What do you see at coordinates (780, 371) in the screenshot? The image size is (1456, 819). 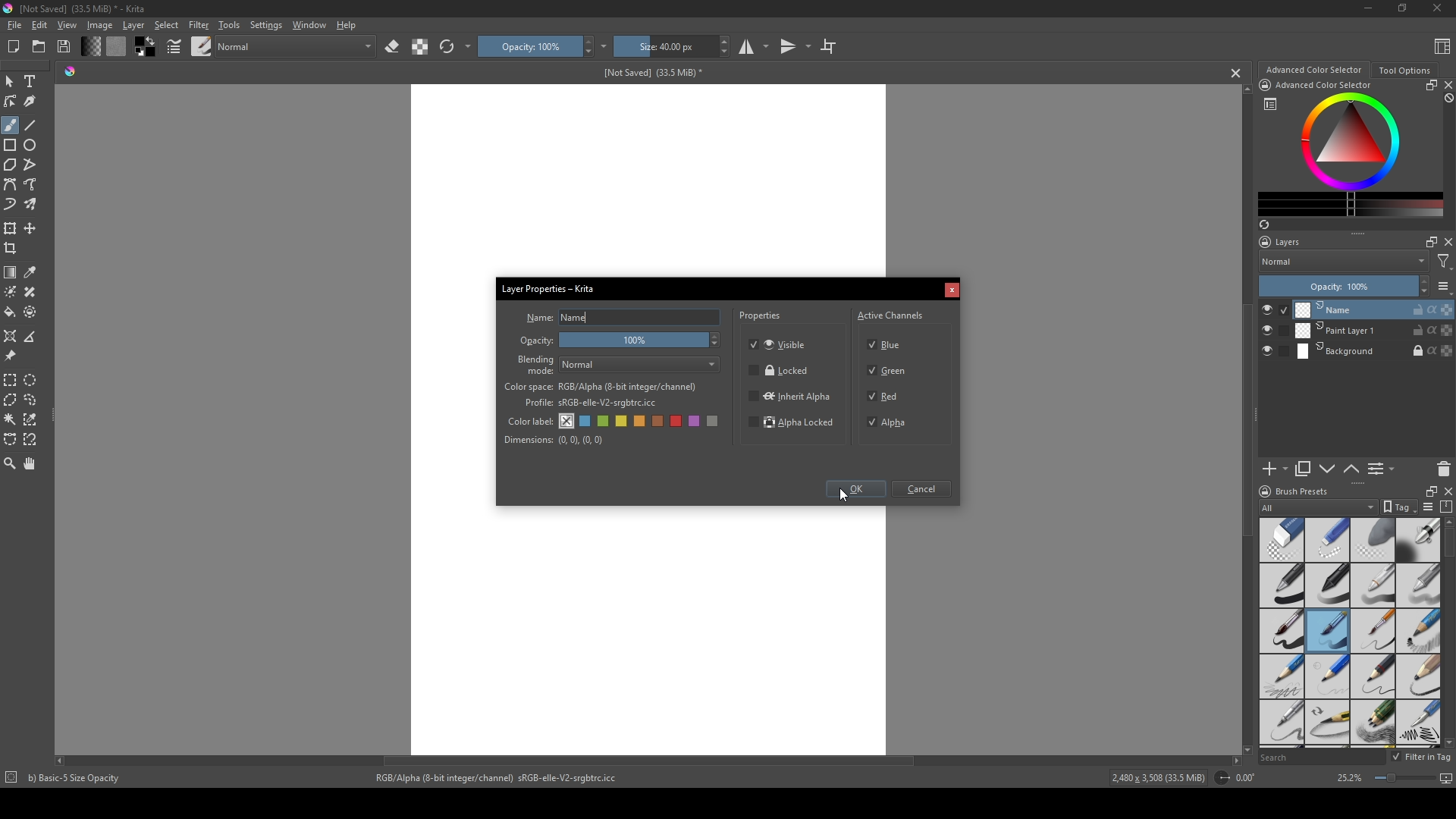 I see `Locked` at bounding box center [780, 371].